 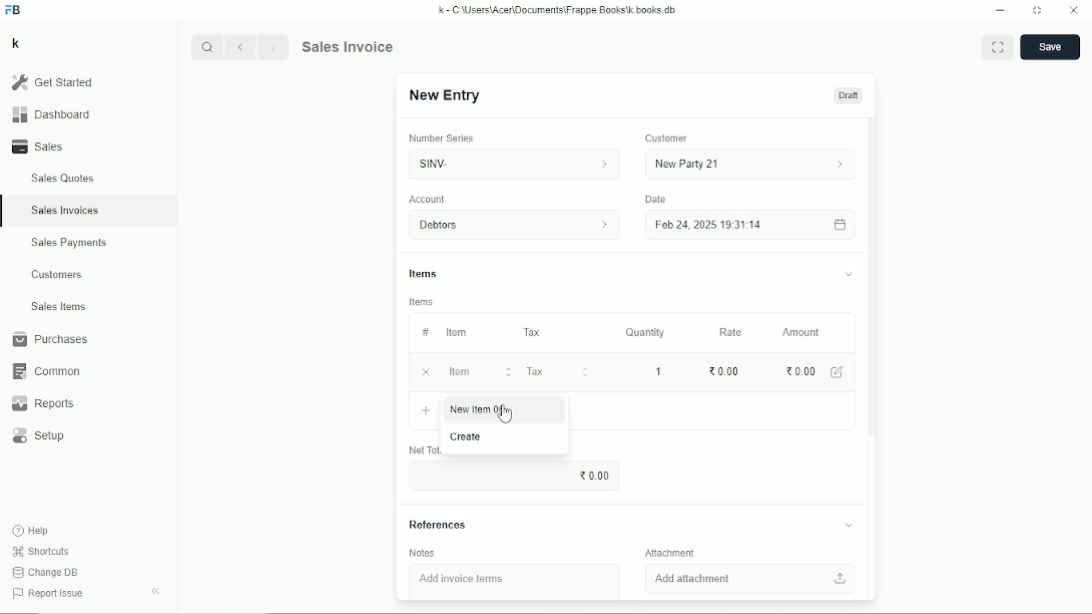 I want to click on Reports, so click(x=42, y=404).